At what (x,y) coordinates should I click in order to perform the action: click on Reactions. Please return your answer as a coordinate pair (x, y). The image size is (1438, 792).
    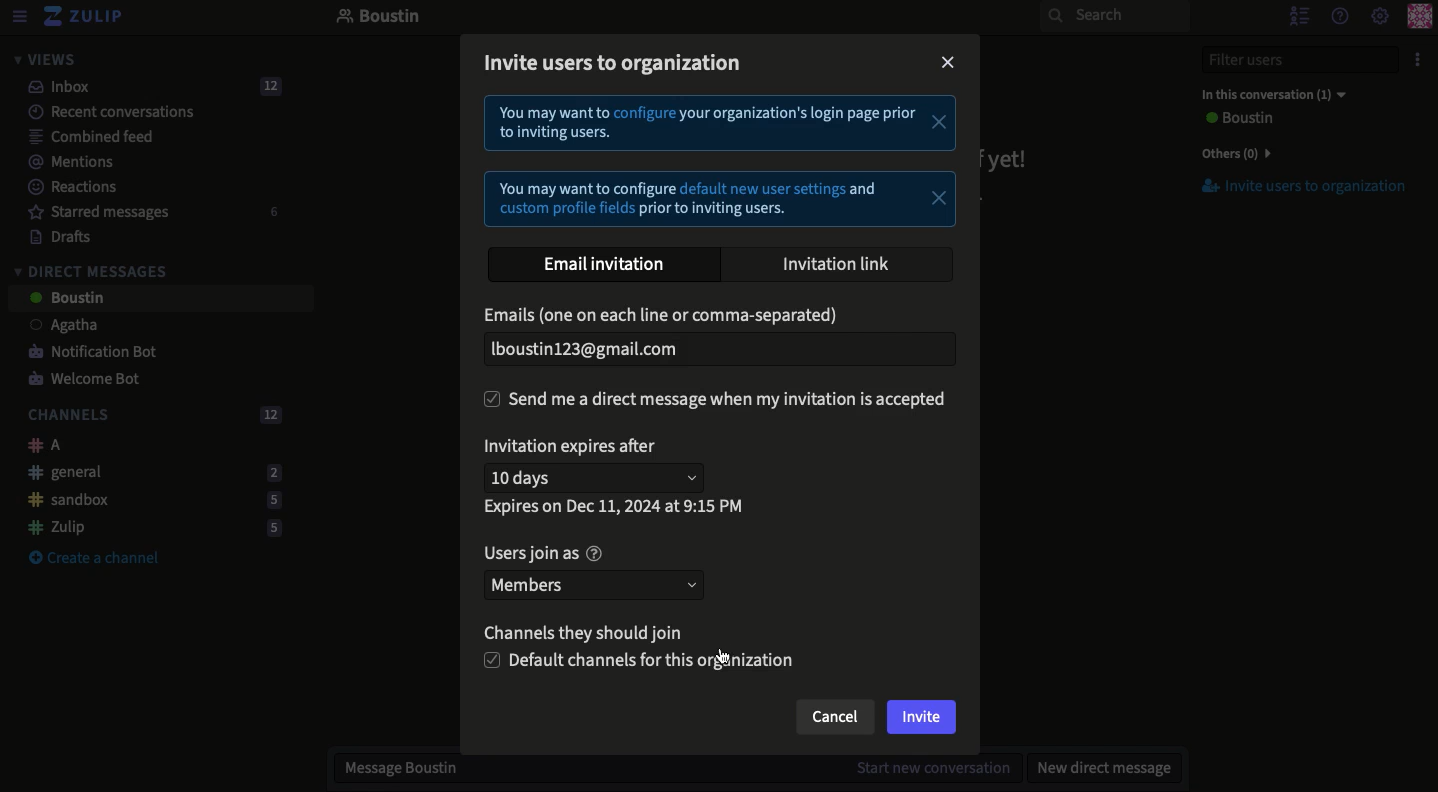
    Looking at the image, I should click on (69, 189).